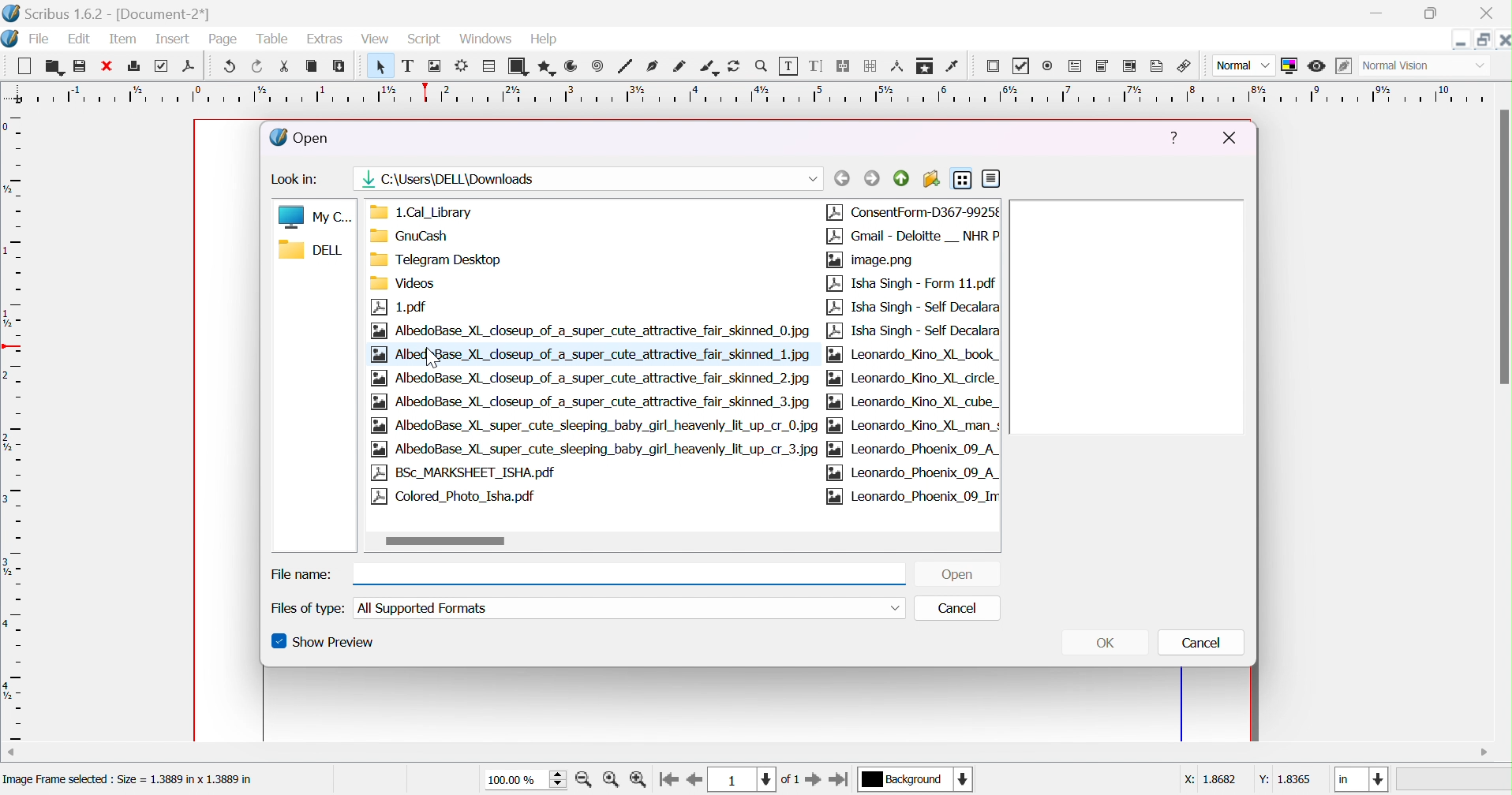  Describe the element at coordinates (1185, 64) in the screenshot. I see `link annotation` at that location.